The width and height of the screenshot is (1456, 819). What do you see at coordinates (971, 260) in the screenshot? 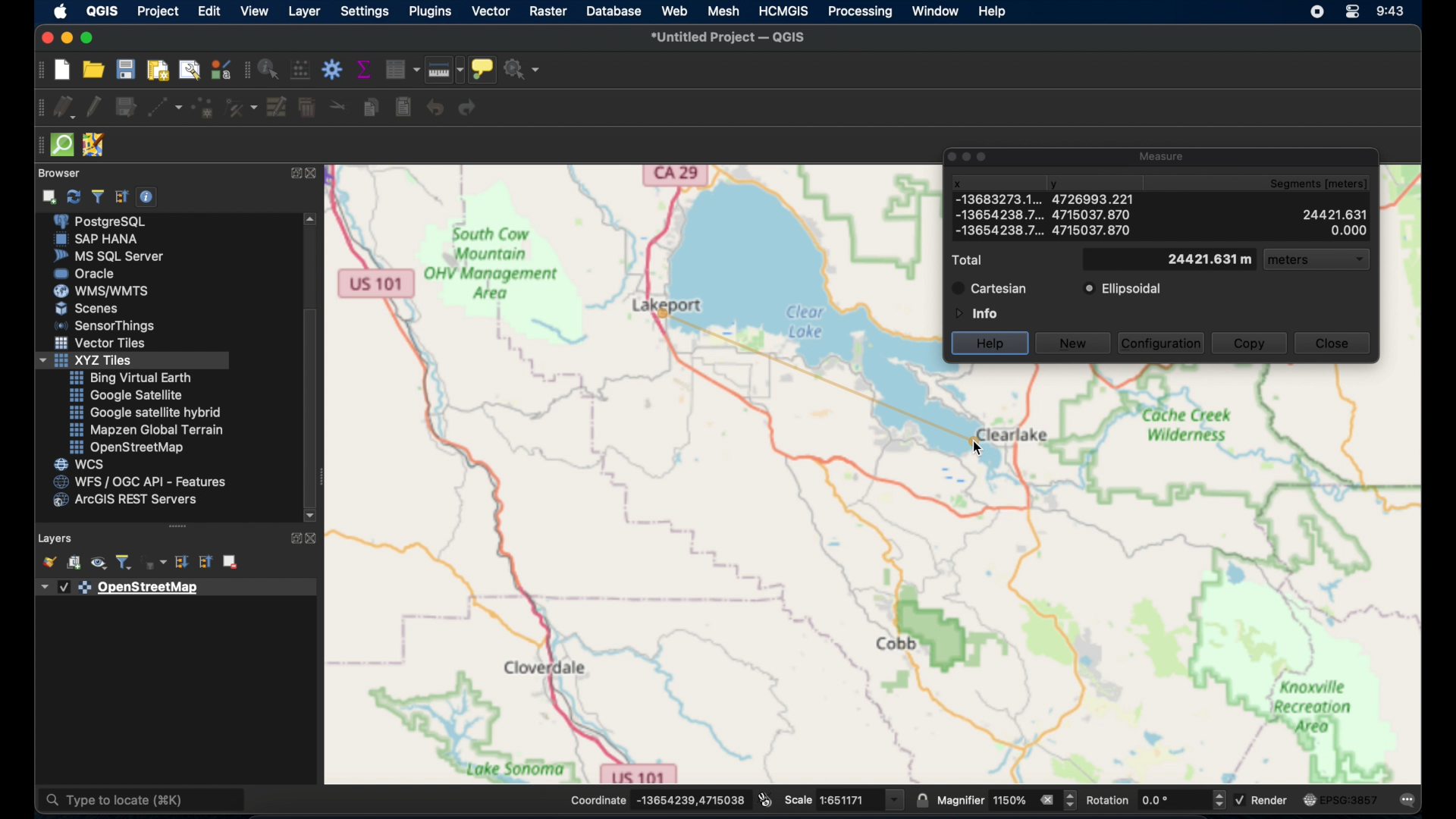
I see `total` at bounding box center [971, 260].